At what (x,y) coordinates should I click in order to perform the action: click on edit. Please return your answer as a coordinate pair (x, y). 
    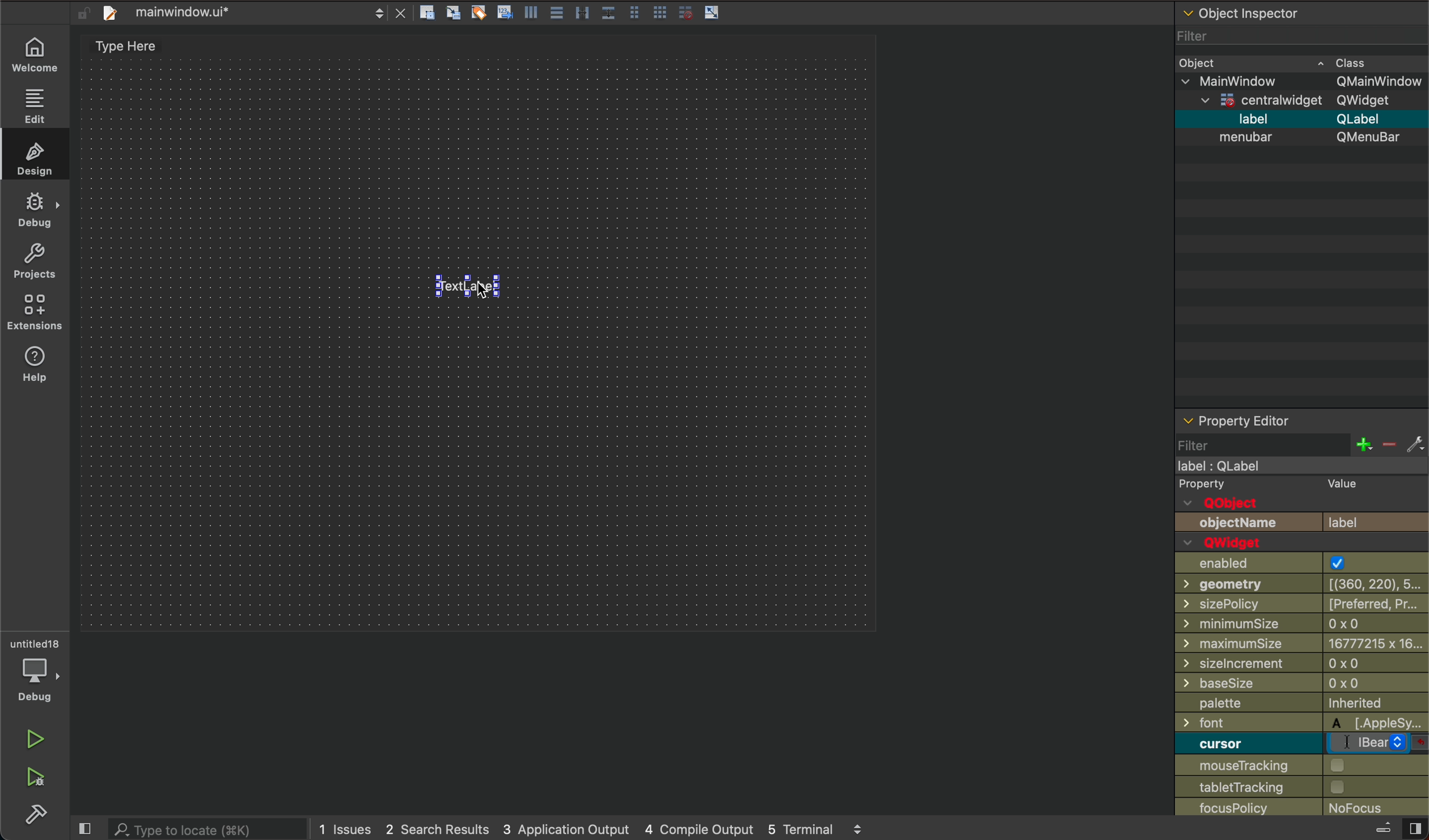
    Looking at the image, I should click on (38, 108).